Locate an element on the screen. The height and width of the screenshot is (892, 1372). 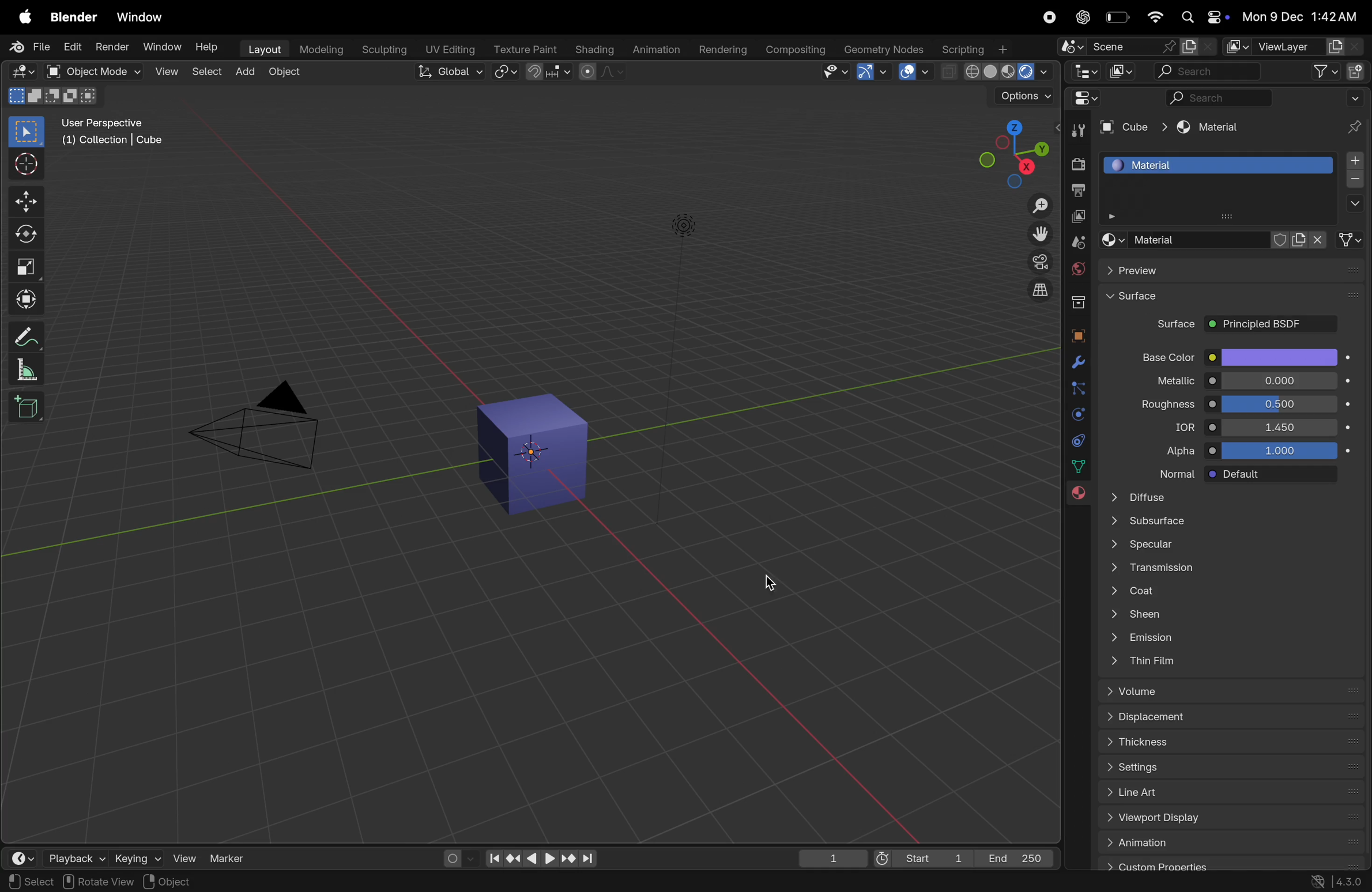
context menu is located at coordinates (247, 881).